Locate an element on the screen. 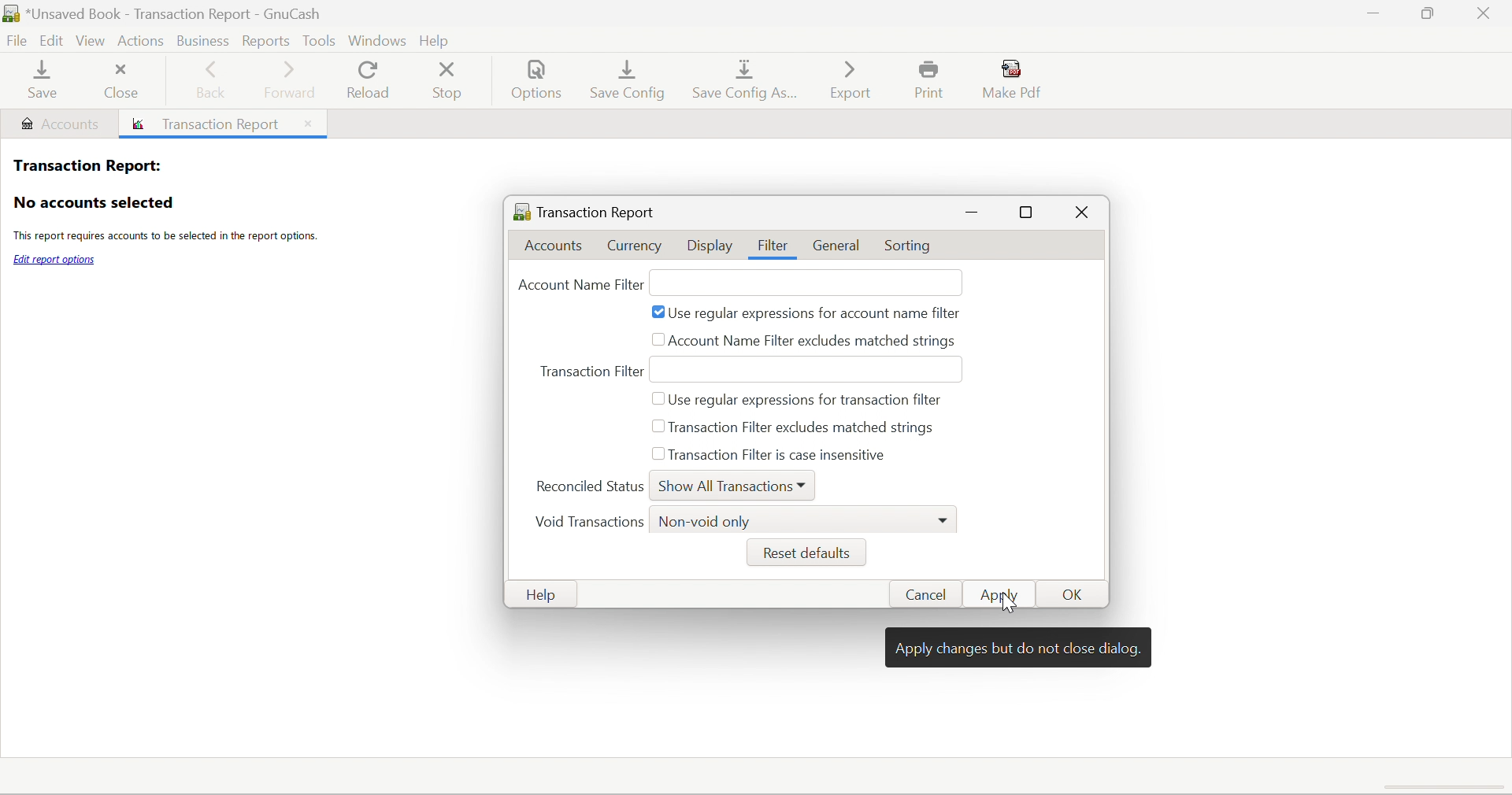  General is located at coordinates (839, 246).